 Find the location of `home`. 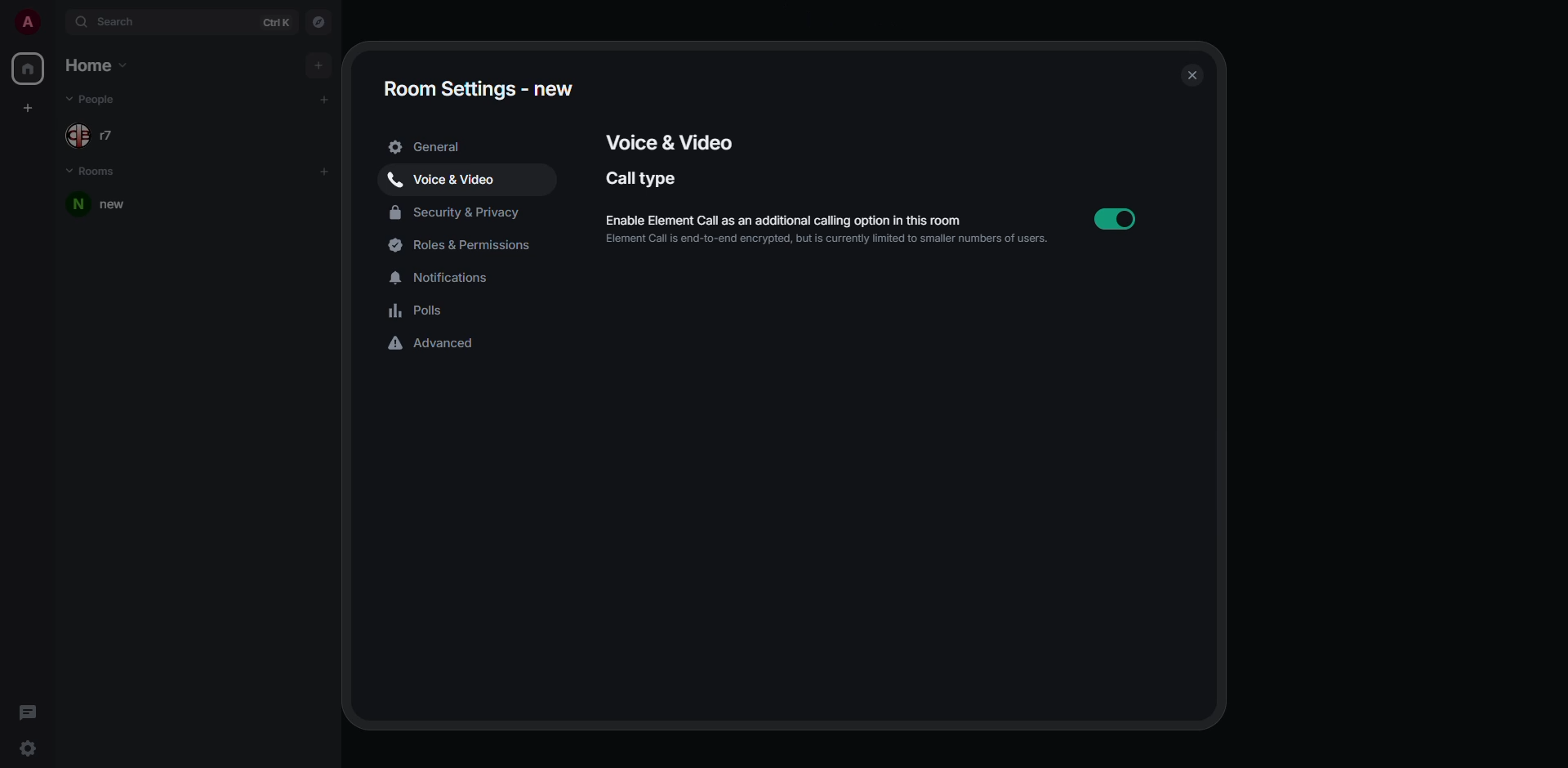

home is located at coordinates (99, 66).